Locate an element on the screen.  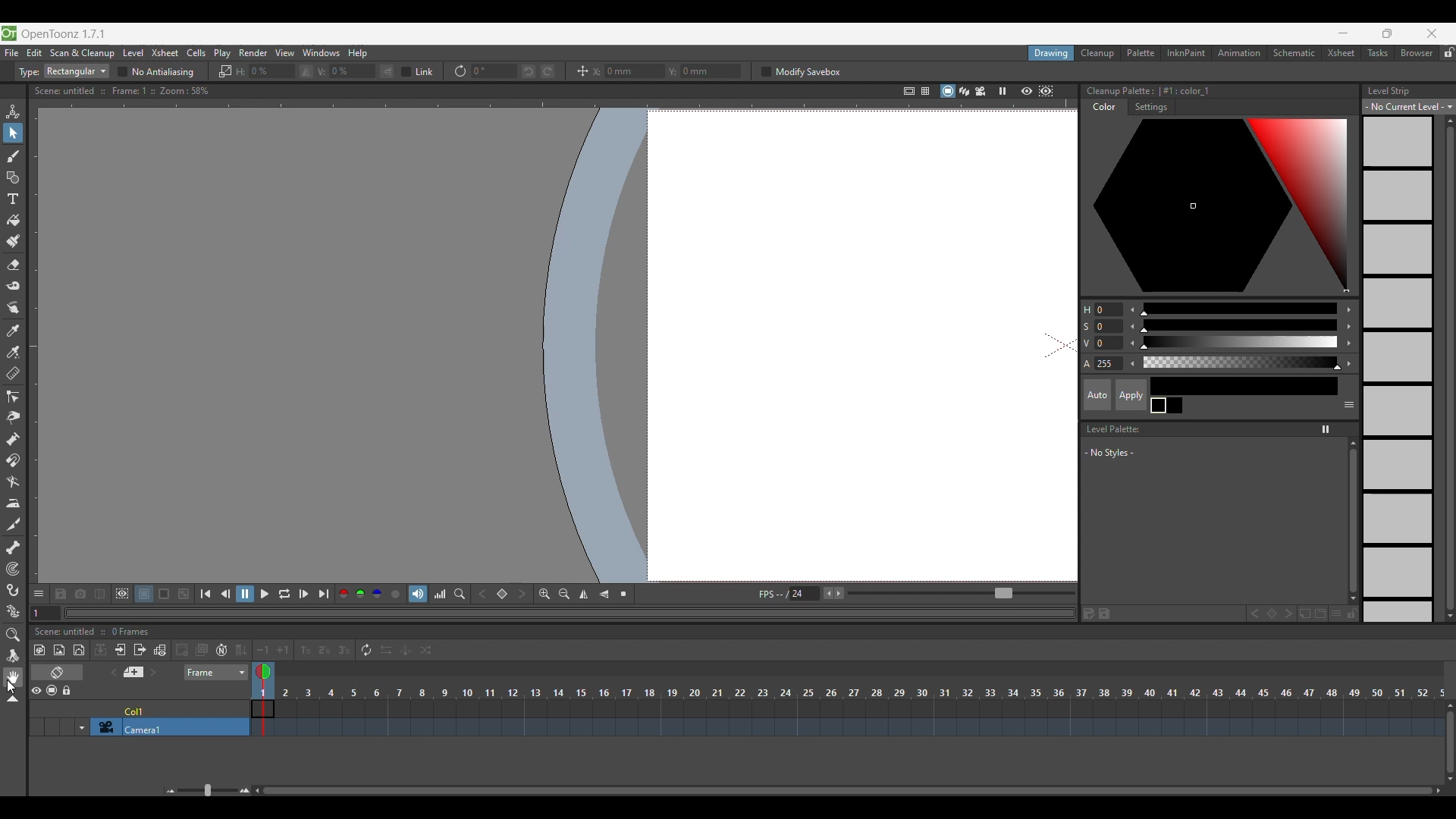
Hook tool is located at coordinates (13, 590).